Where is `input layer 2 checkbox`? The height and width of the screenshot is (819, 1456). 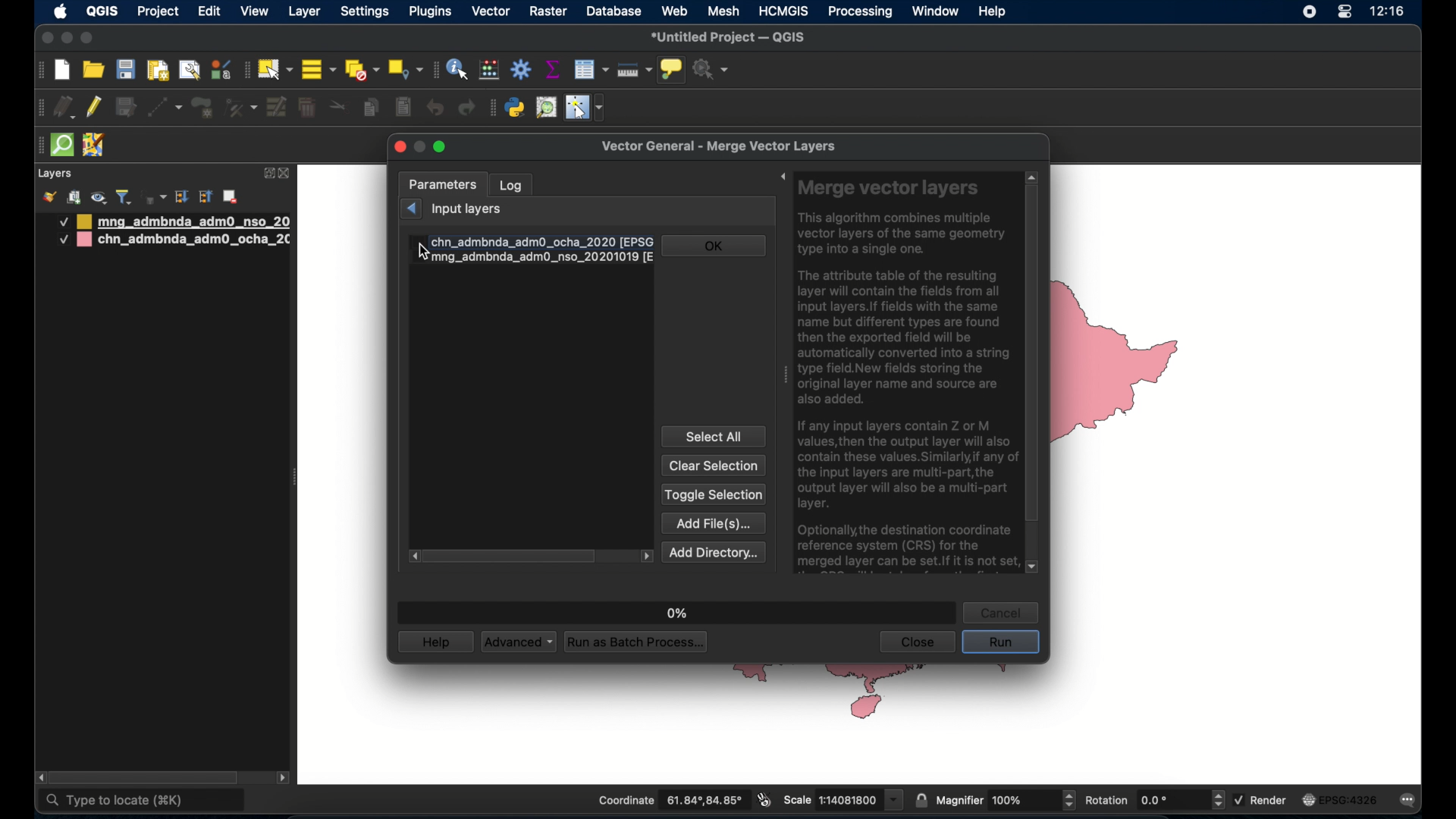 input layer 2 checkbox is located at coordinates (533, 259).